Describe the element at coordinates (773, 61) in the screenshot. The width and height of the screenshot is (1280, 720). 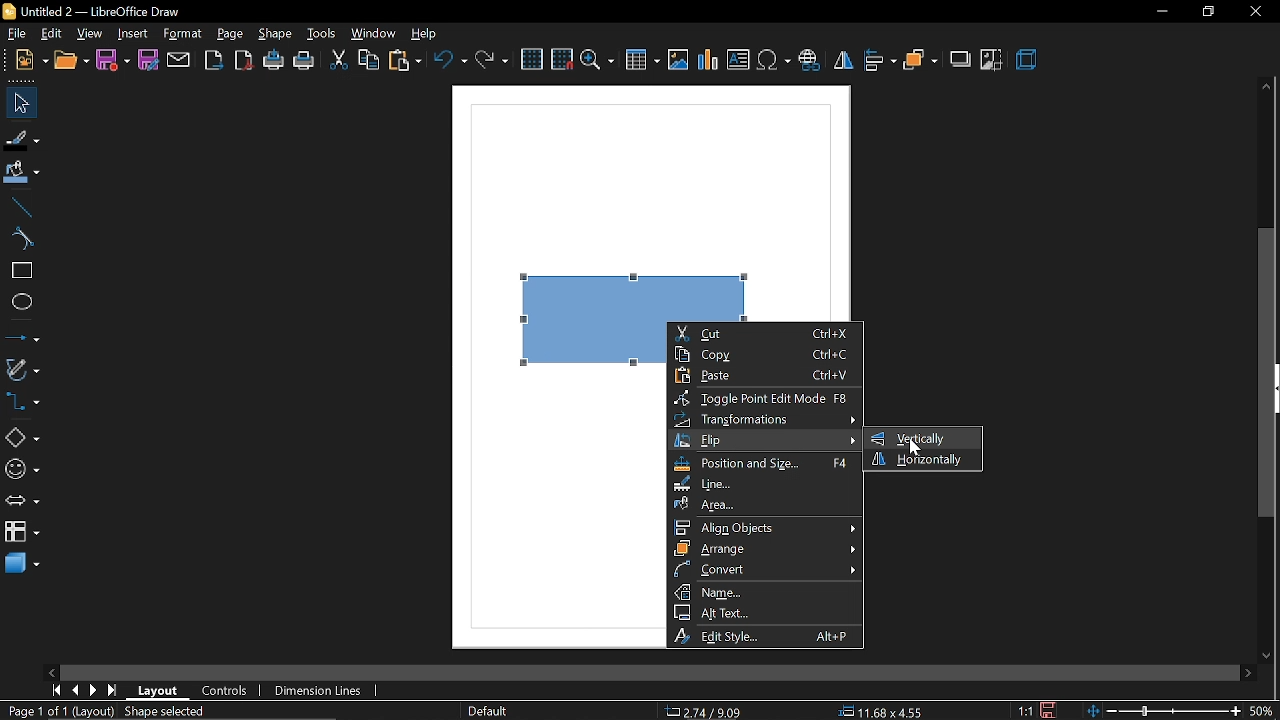
I see `insert symbol` at that location.